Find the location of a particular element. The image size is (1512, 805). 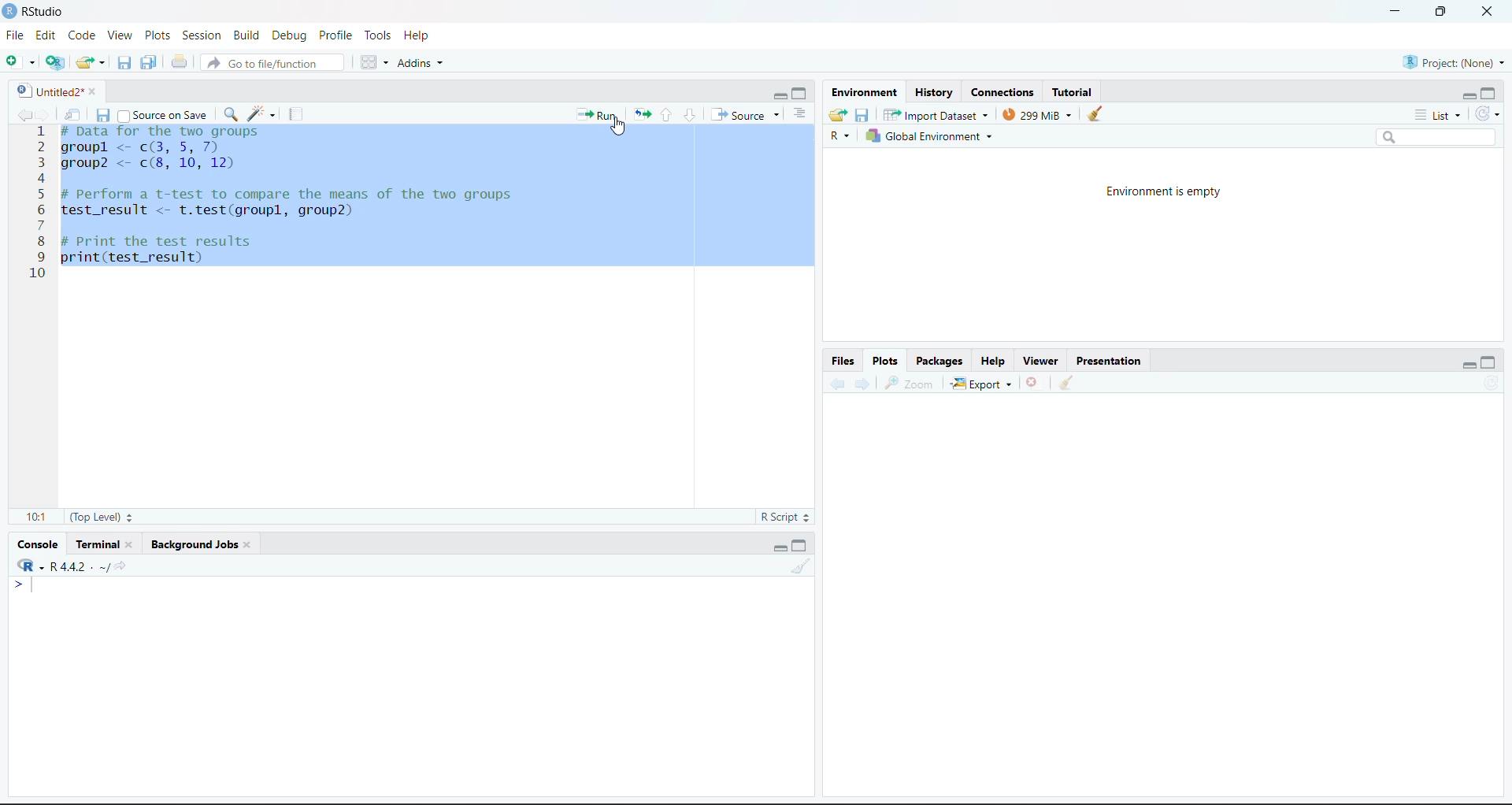

clear all plots is located at coordinates (1067, 384).